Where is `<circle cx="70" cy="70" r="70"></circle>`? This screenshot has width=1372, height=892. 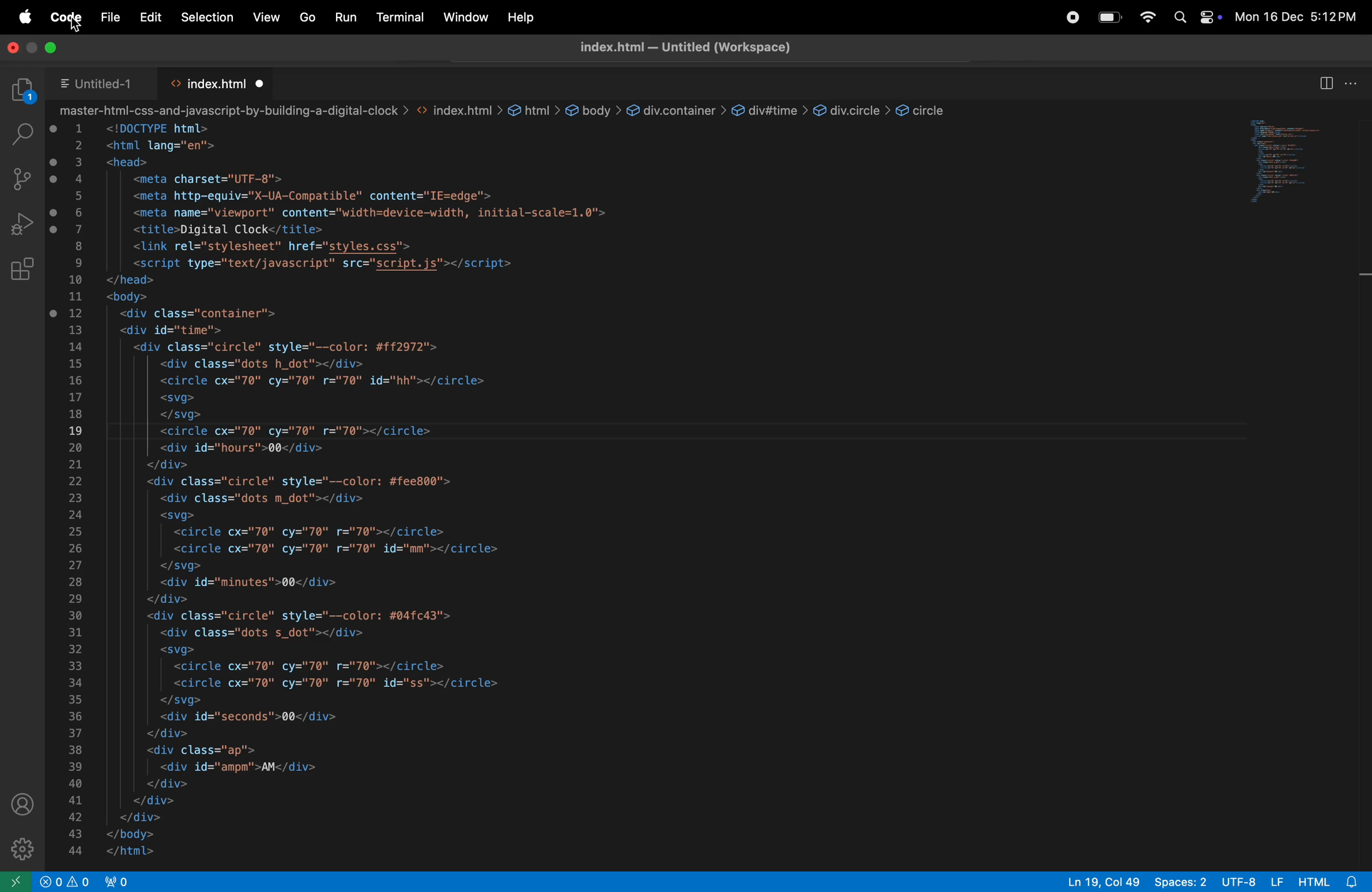
<circle cx="70" cy="70" r="70"></circle> is located at coordinates (322, 666).